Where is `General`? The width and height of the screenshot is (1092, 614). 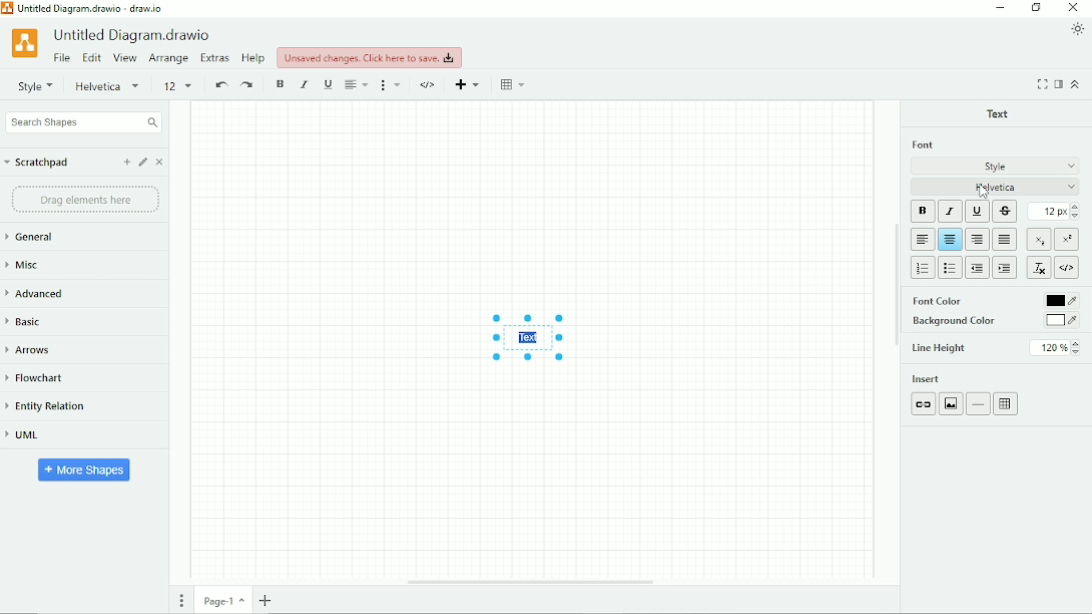 General is located at coordinates (37, 237).